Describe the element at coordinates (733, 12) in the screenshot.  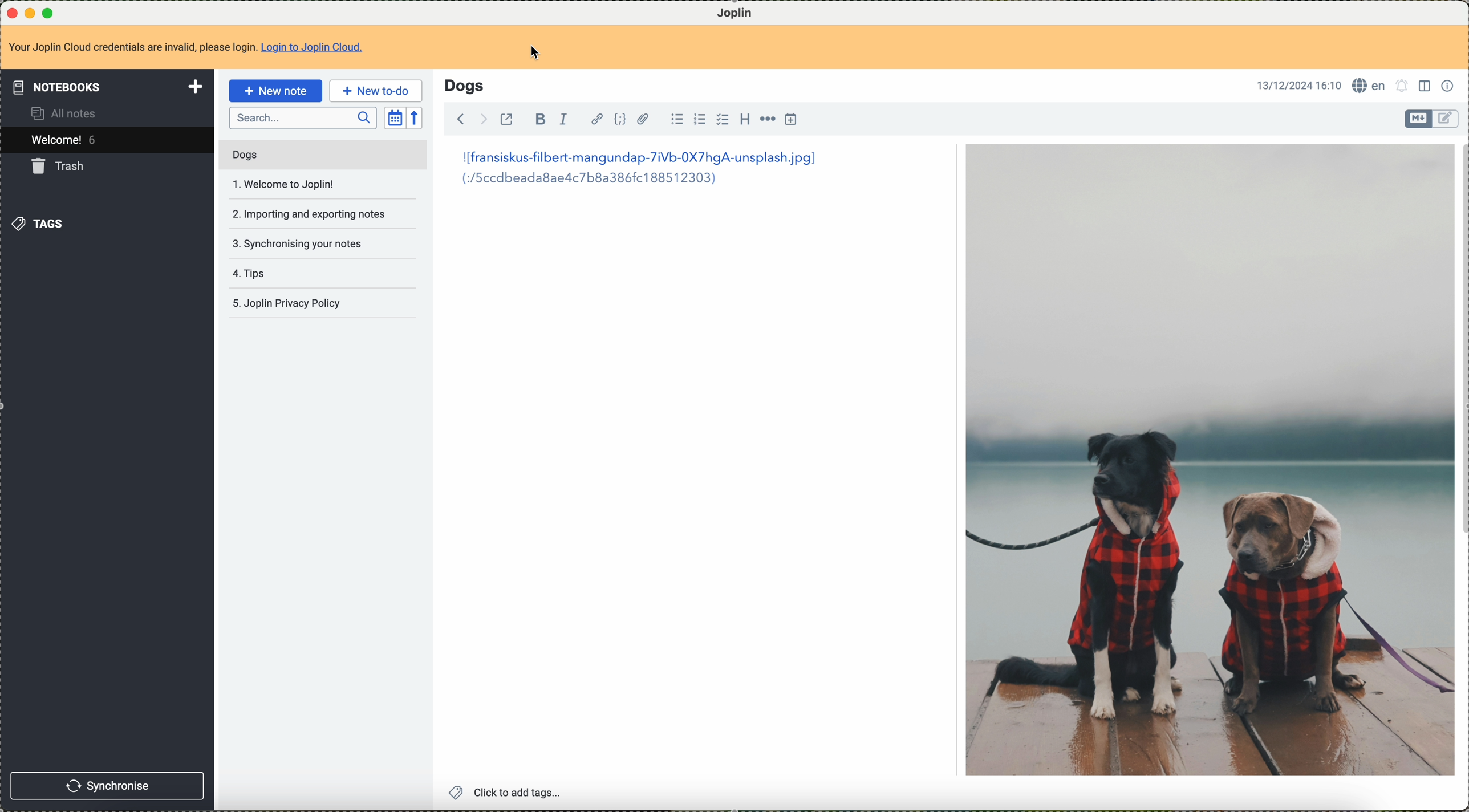
I see `Joplin` at that location.